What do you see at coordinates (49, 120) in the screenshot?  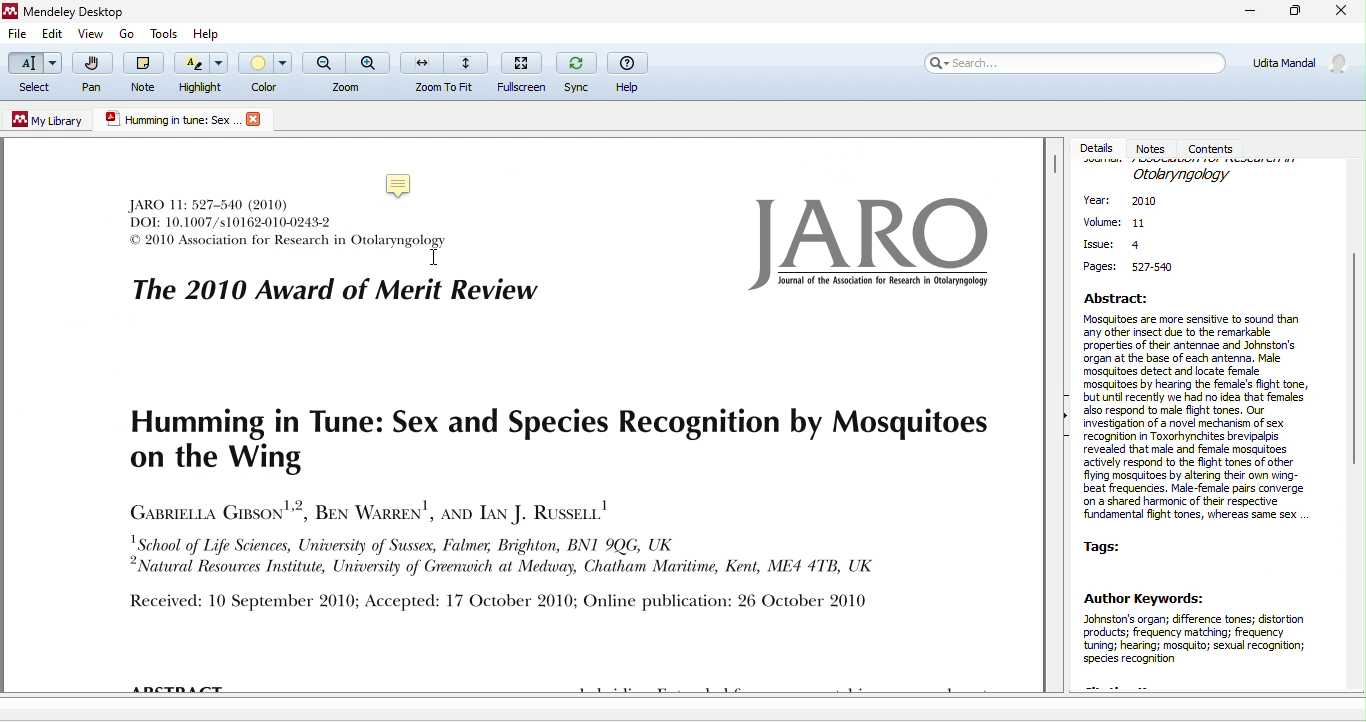 I see `my library` at bounding box center [49, 120].